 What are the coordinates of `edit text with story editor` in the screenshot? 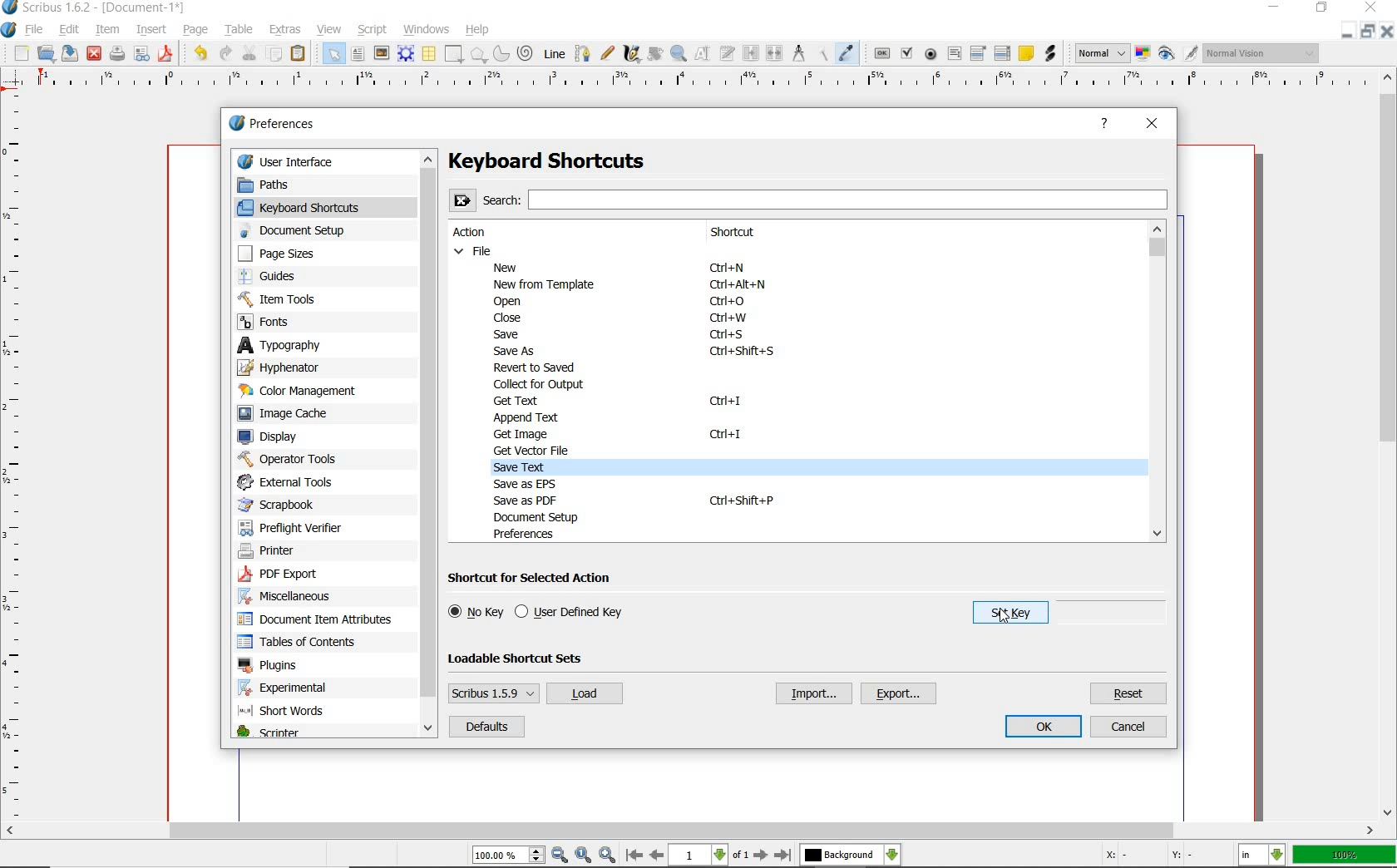 It's located at (728, 52).